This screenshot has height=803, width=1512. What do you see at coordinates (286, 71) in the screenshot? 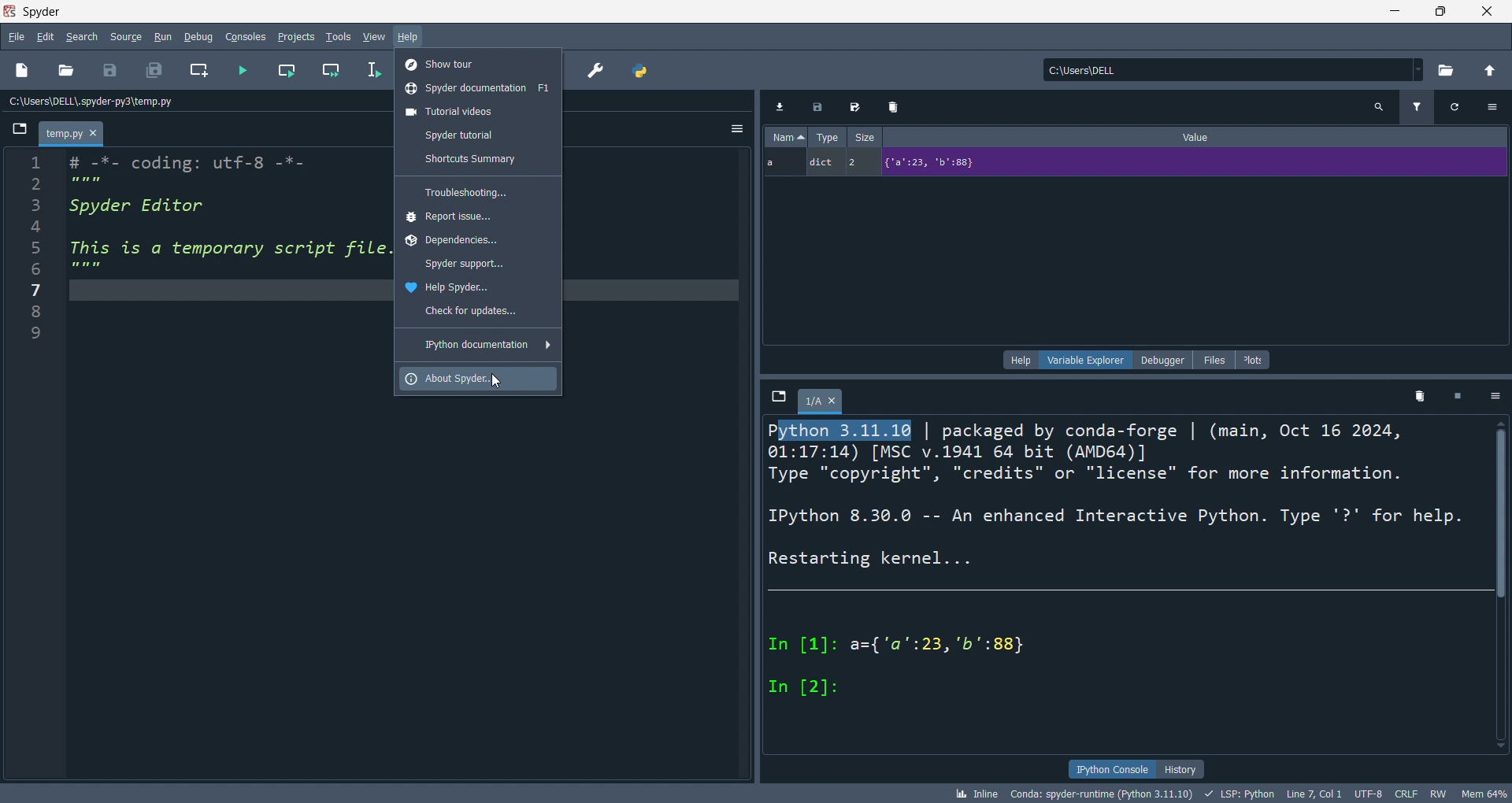
I see `run cell` at bounding box center [286, 71].